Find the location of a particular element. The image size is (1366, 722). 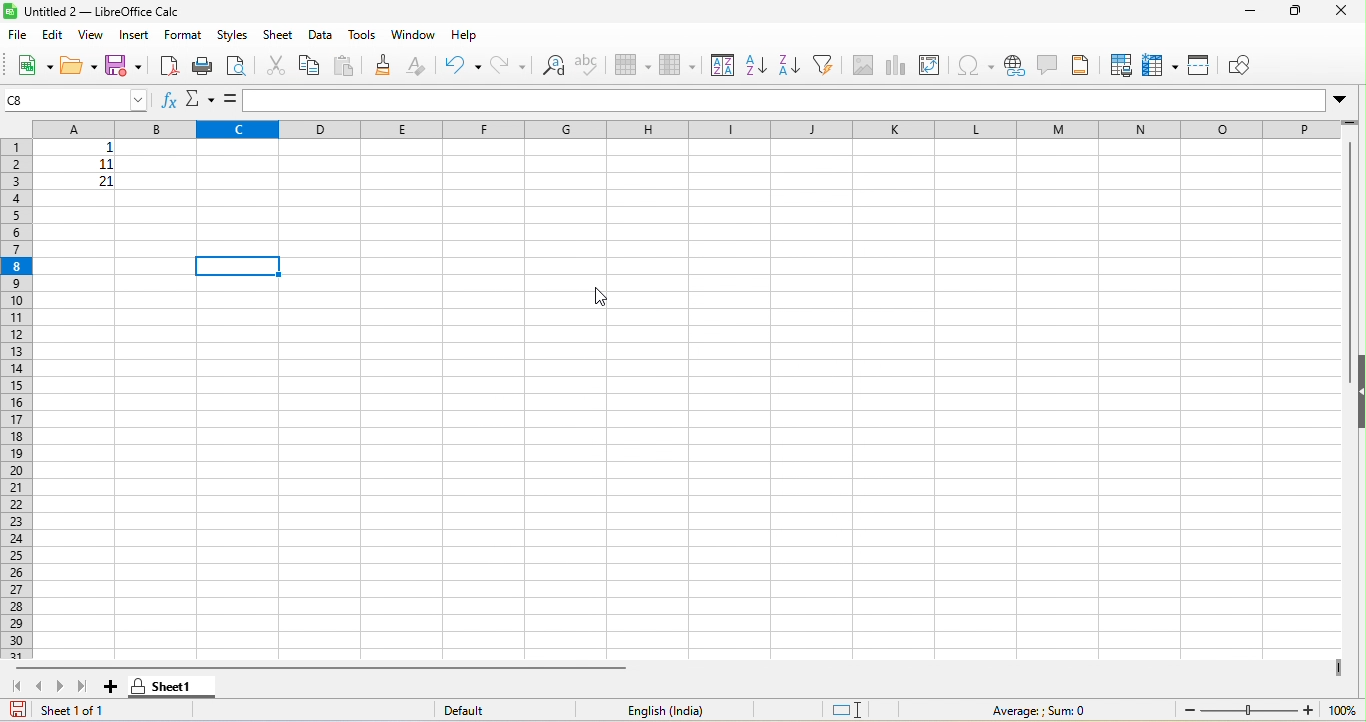

selected cell is located at coordinates (238, 265).